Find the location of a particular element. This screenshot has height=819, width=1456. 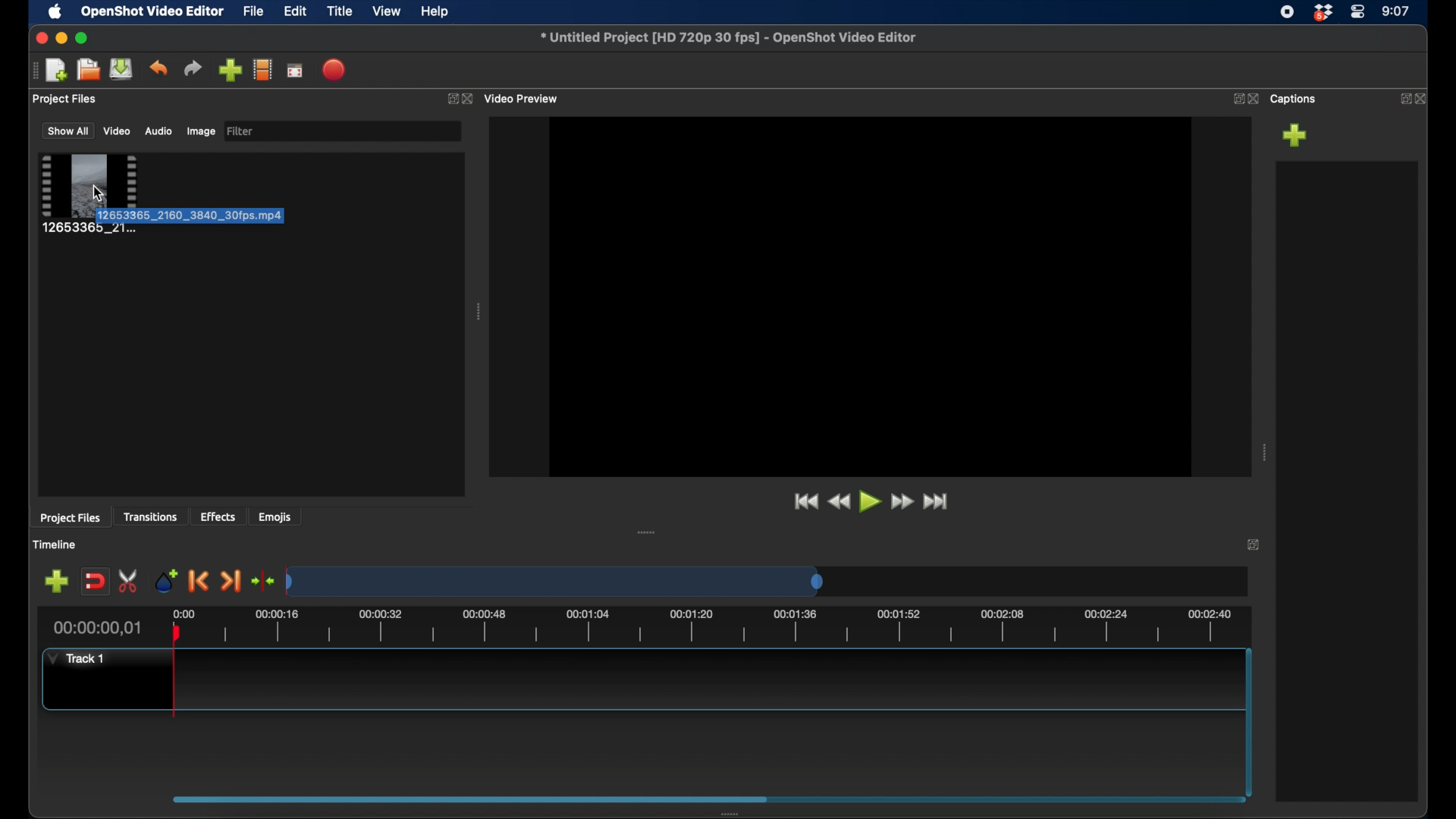

plahead is located at coordinates (174, 671).